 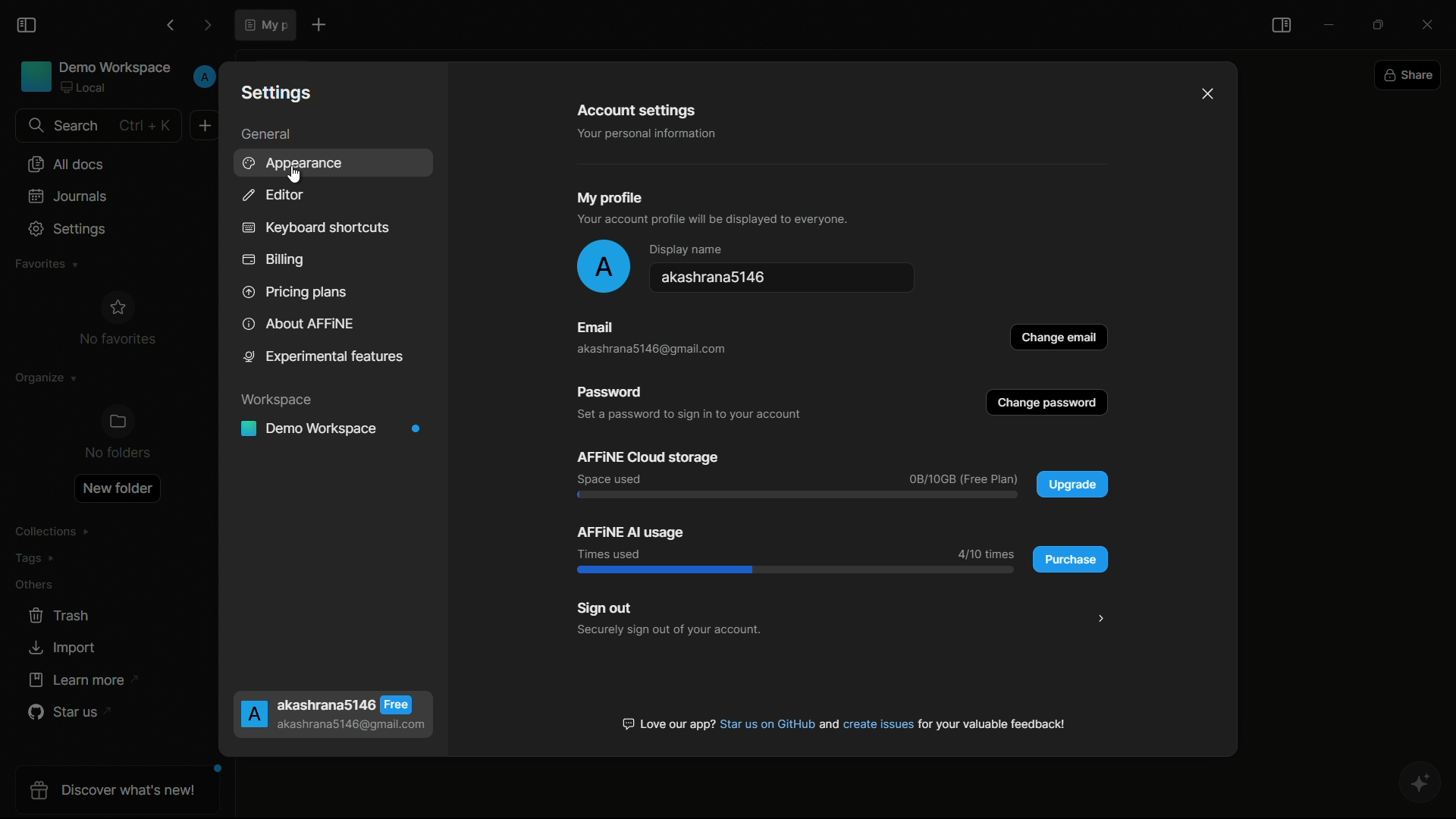 I want to click on share, so click(x=1410, y=77).